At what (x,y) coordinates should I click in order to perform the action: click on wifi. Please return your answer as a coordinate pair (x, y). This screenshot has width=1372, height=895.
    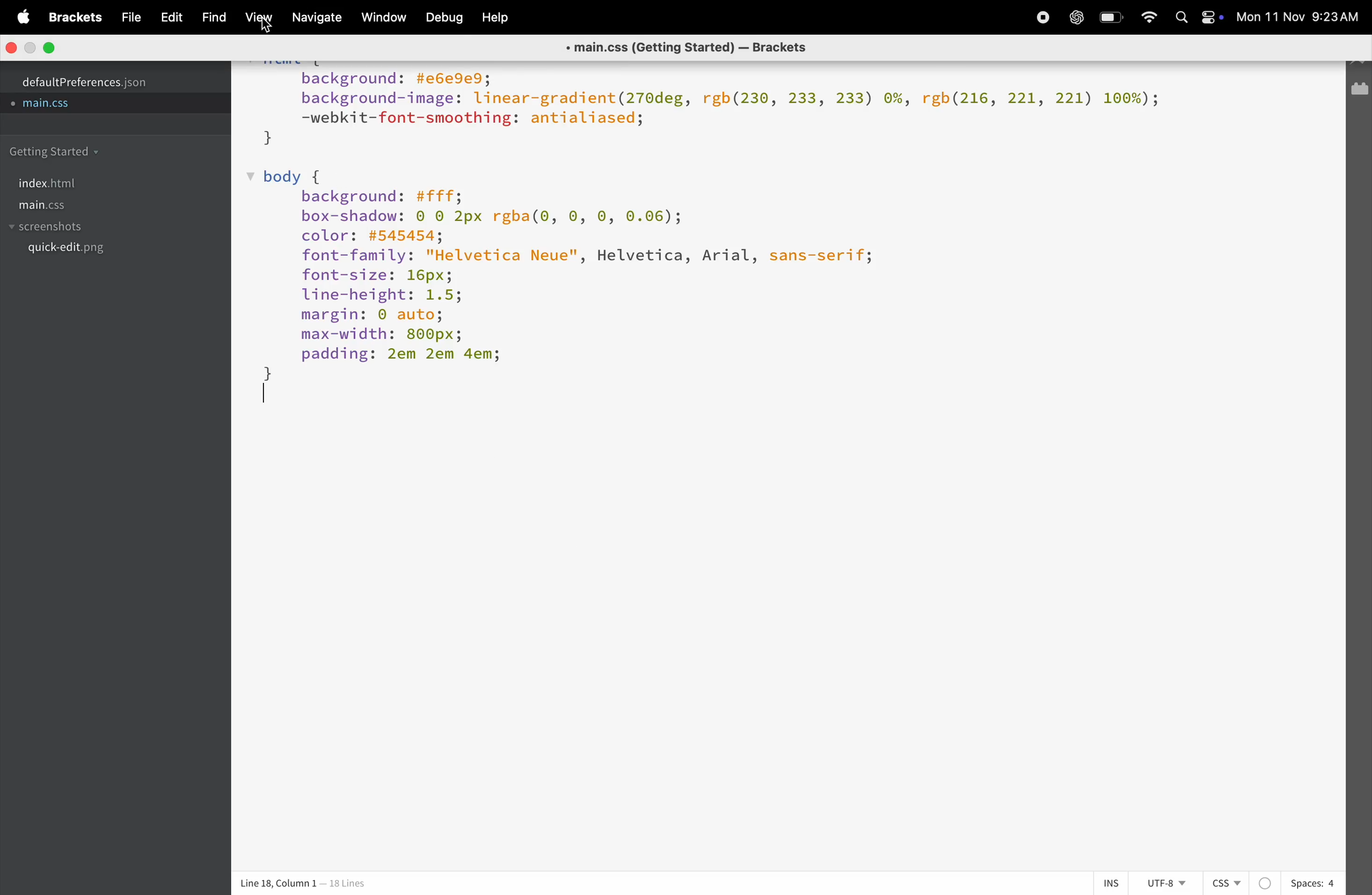
    Looking at the image, I should click on (1148, 17).